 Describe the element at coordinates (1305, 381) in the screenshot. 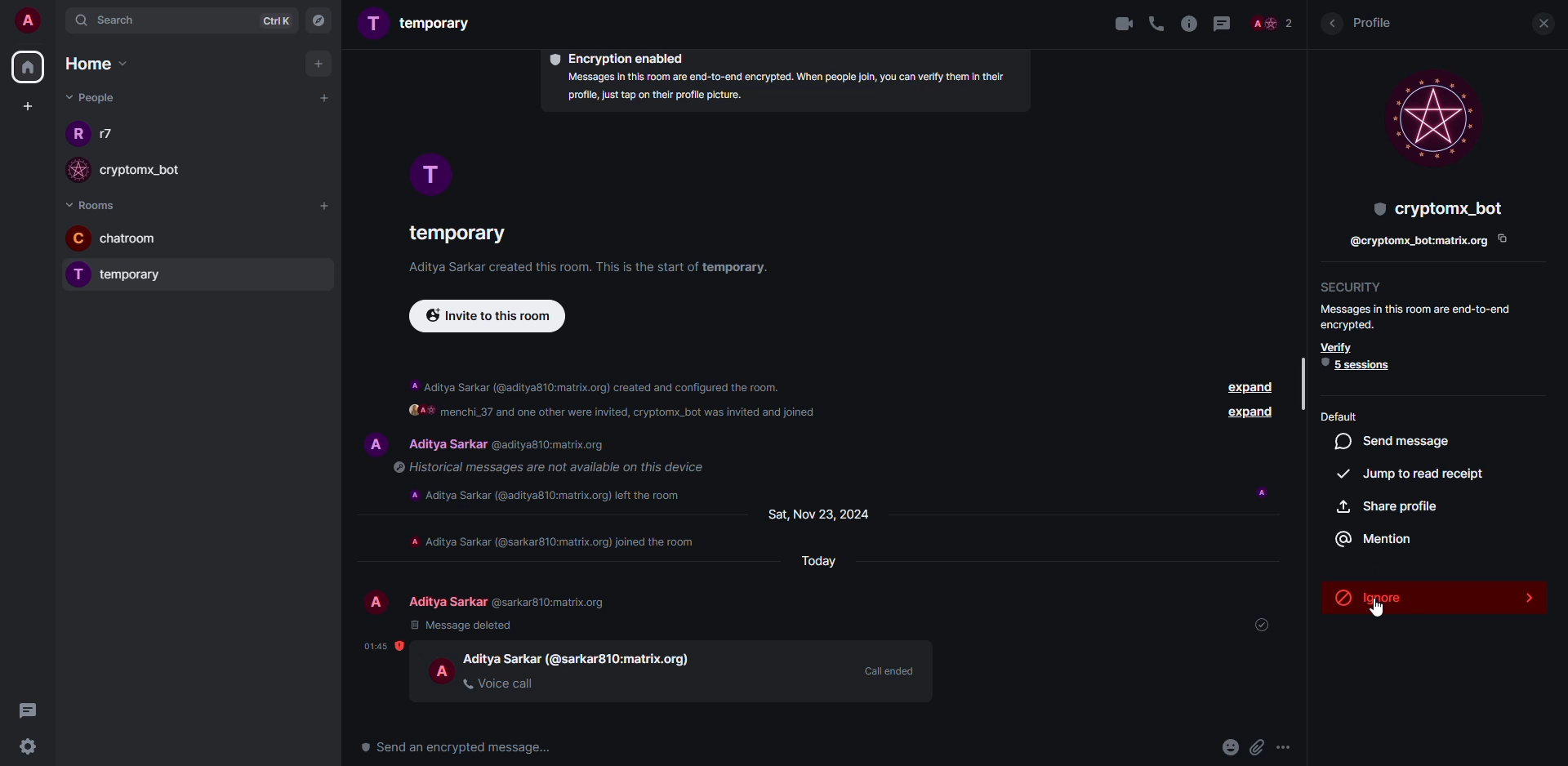

I see `scrollbar` at that location.